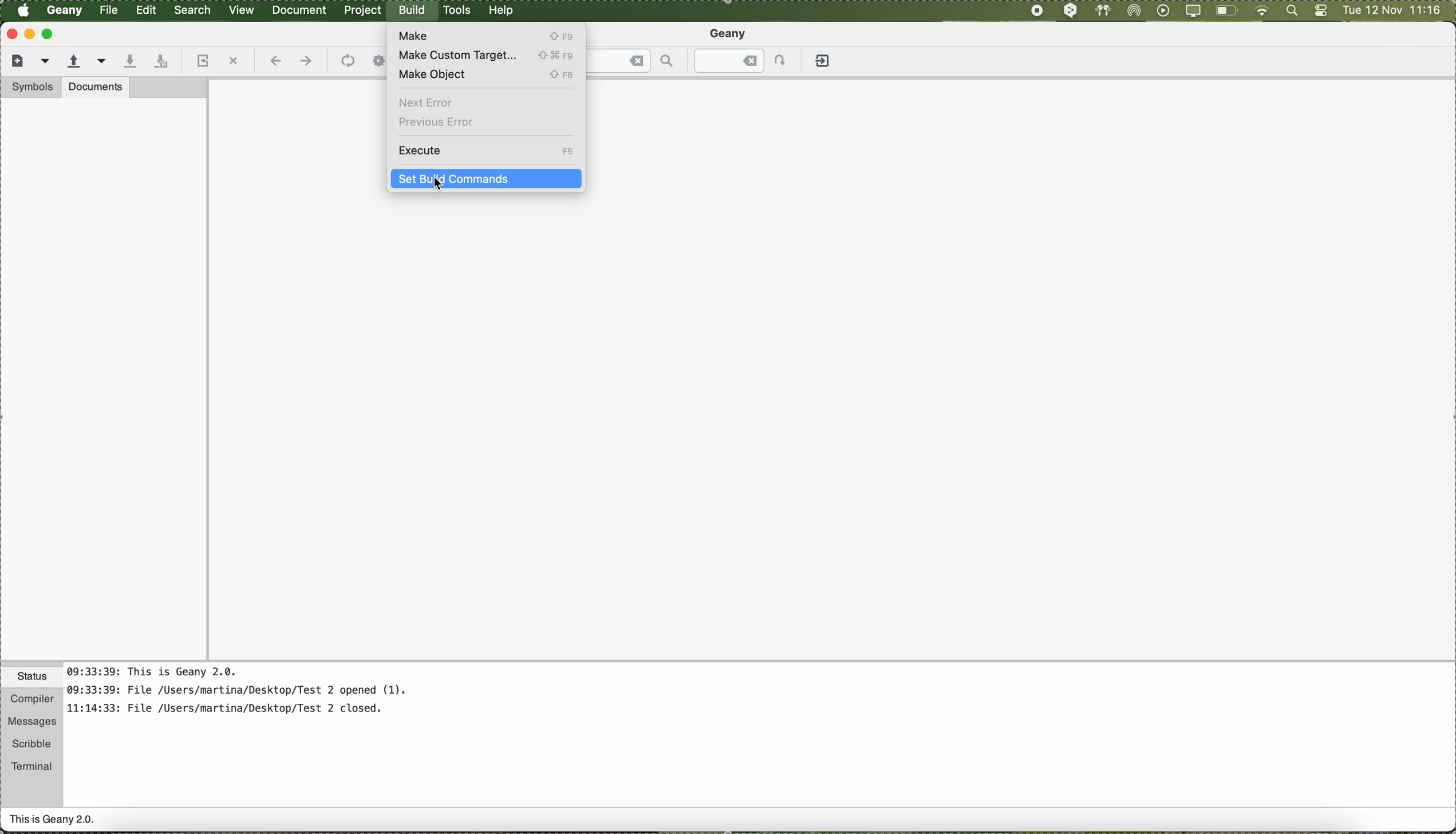  I want to click on DeepL, so click(1071, 11).